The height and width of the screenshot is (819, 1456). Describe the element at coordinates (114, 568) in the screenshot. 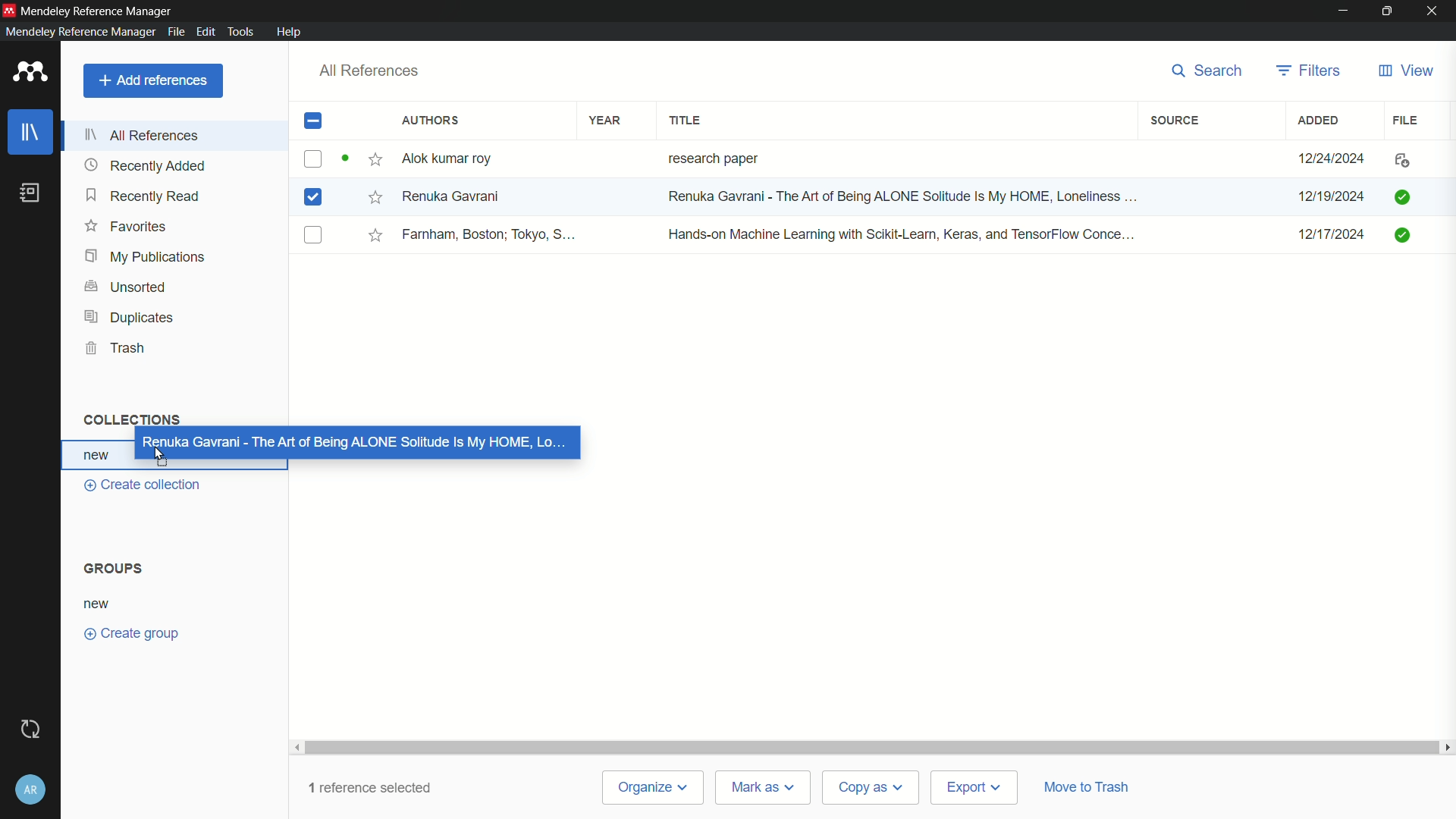

I see `groups` at that location.